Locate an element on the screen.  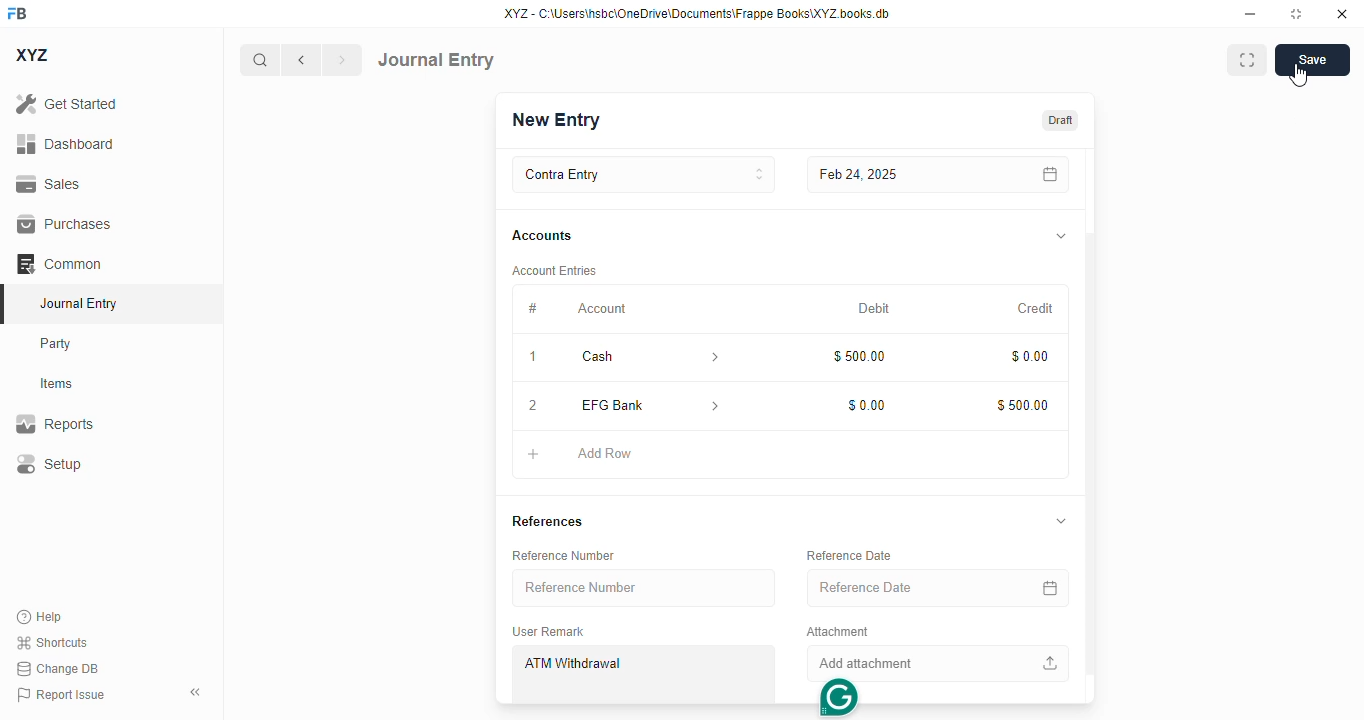
1 is located at coordinates (532, 356).